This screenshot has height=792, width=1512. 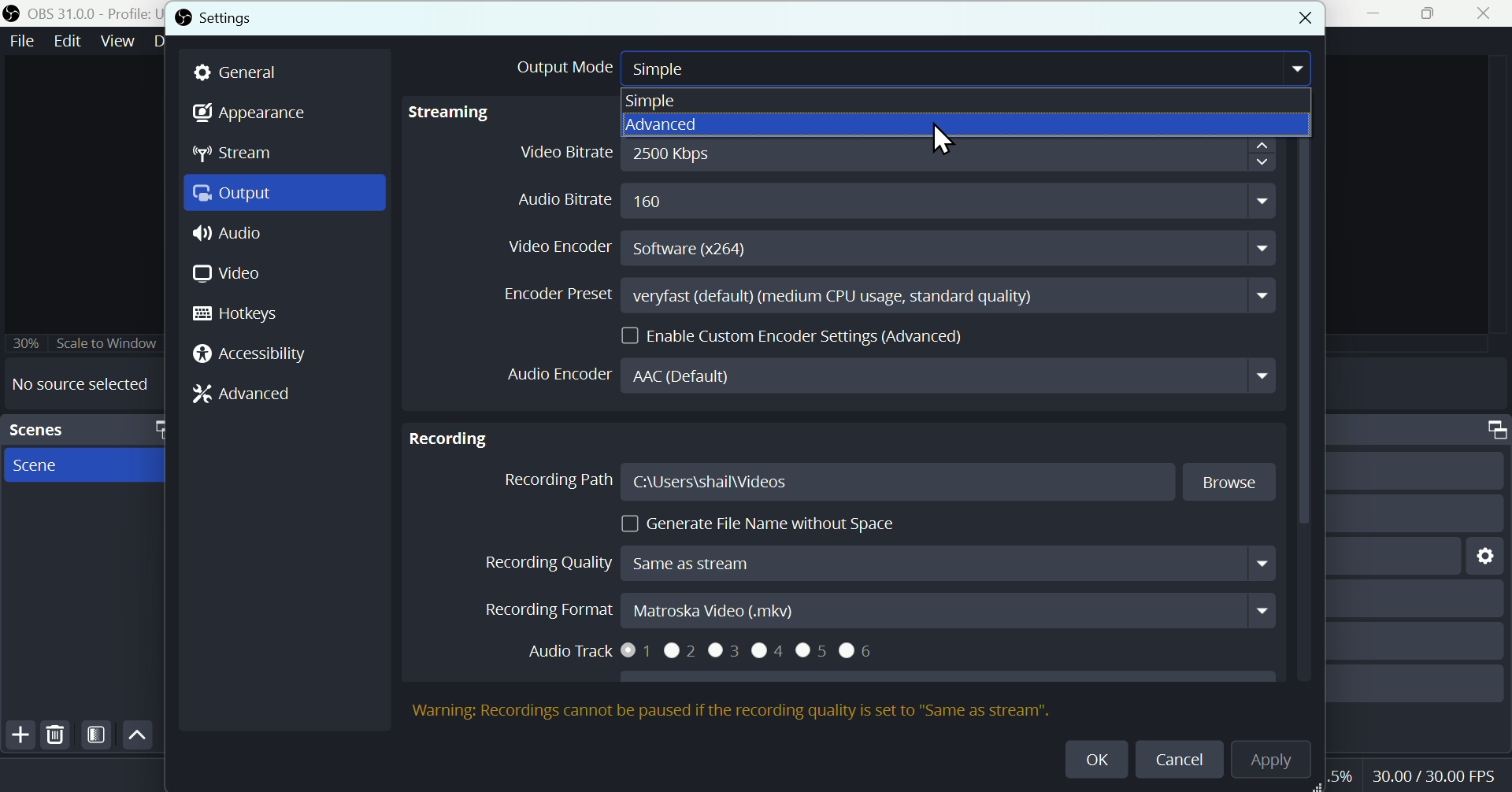 What do you see at coordinates (1490, 430) in the screenshot?
I see `` at bounding box center [1490, 430].